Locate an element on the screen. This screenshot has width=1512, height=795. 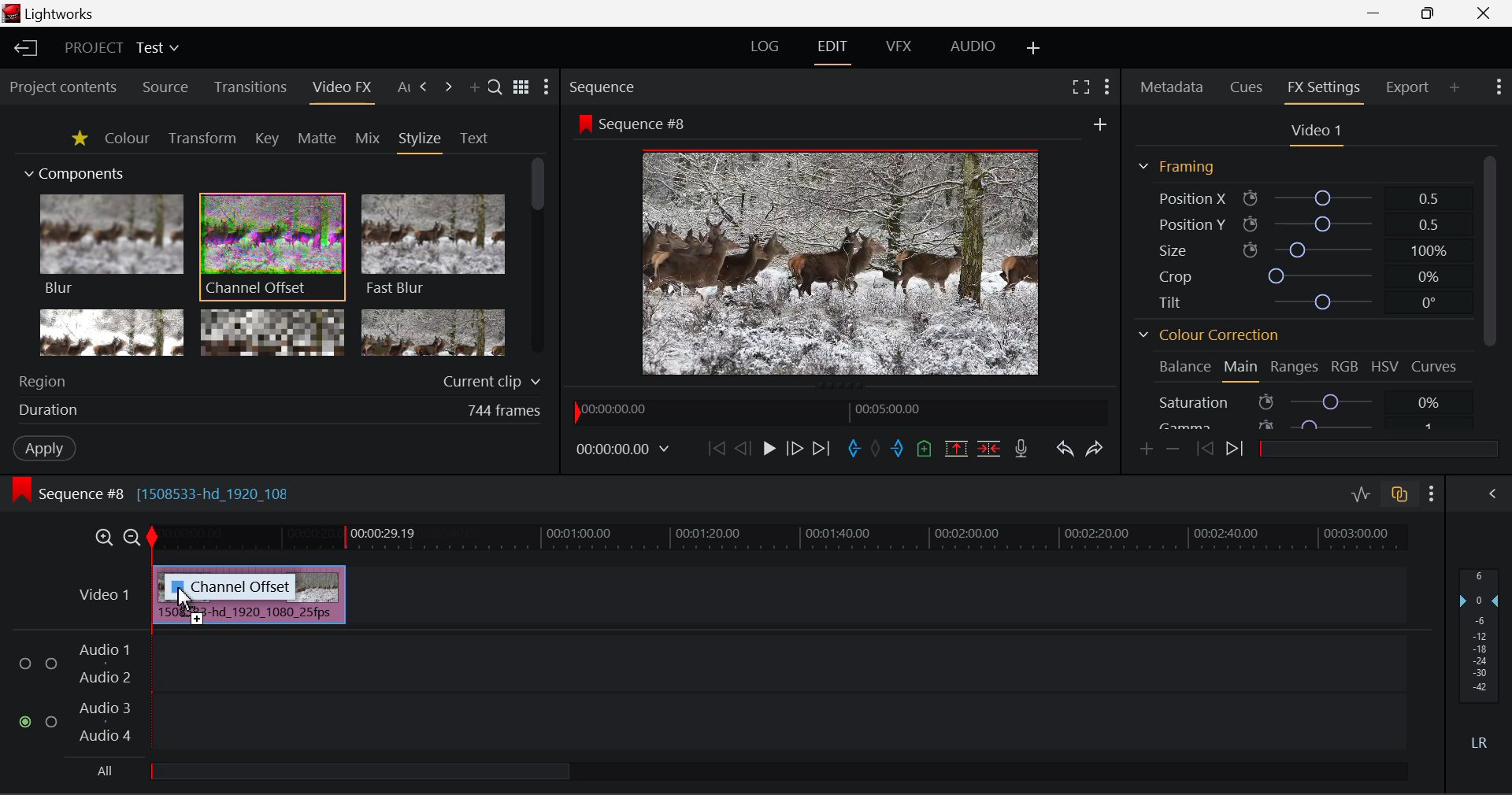
Add Panel is located at coordinates (474, 89).